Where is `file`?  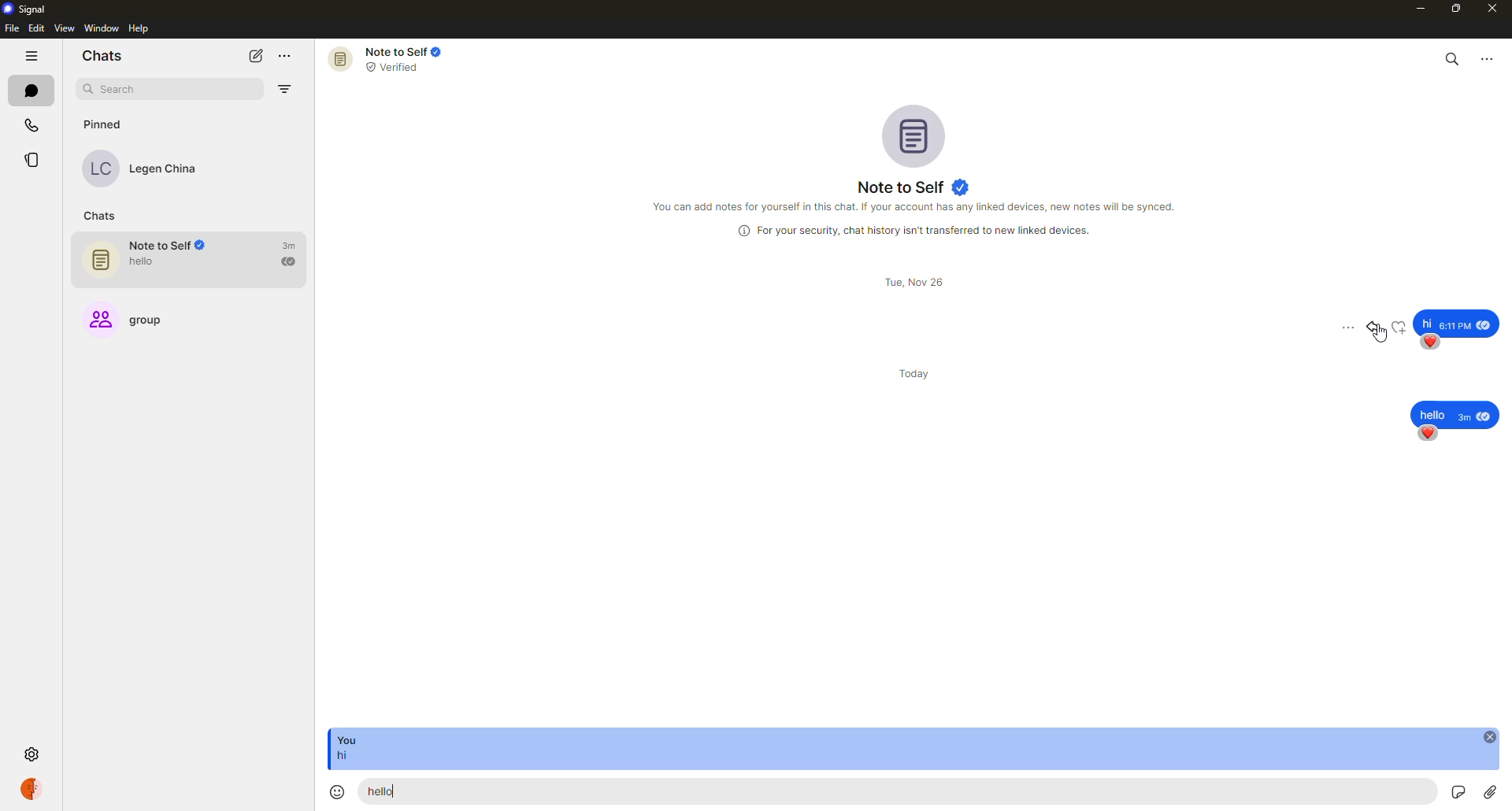
file is located at coordinates (13, 28).